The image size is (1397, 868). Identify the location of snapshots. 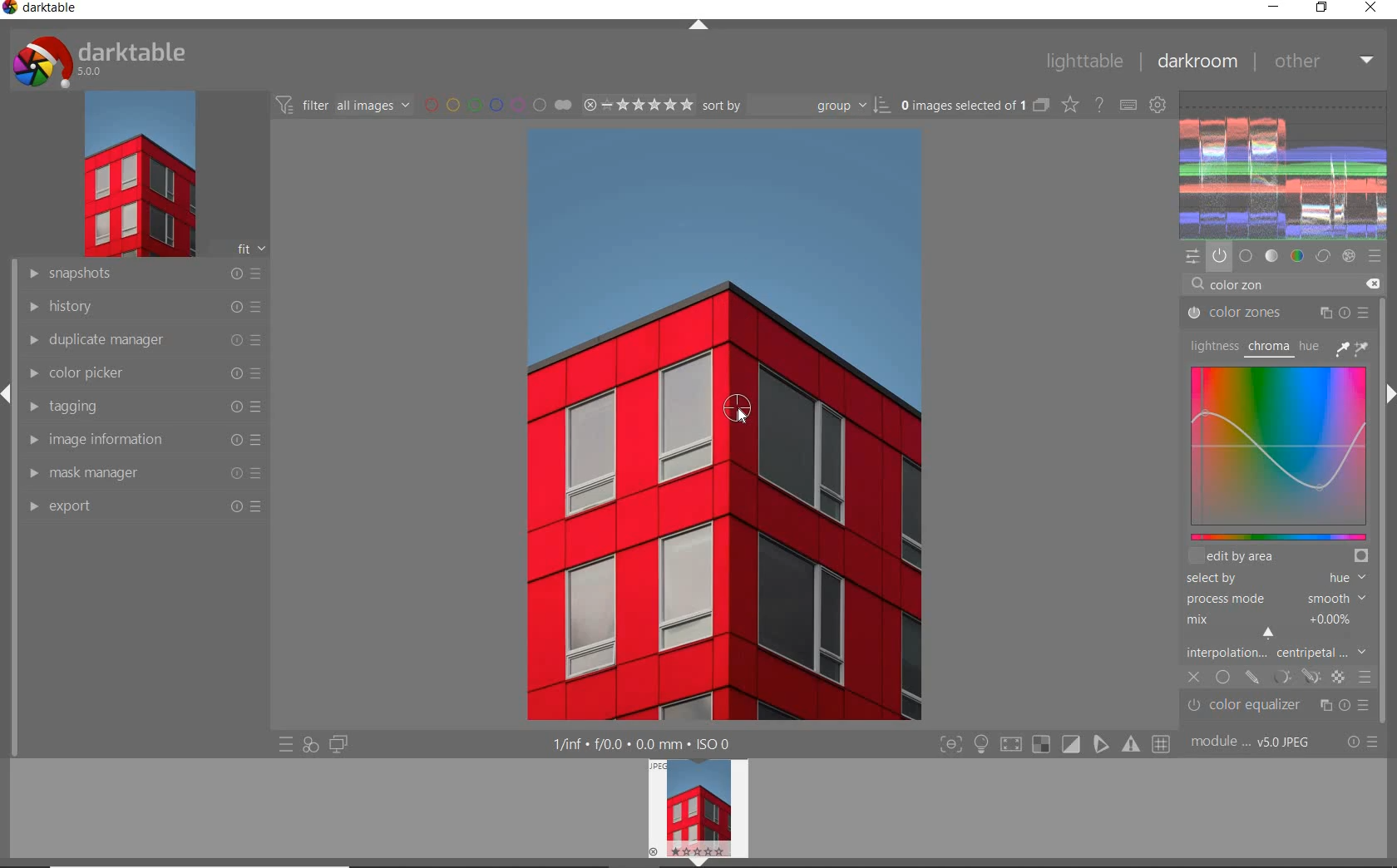
(141, 276).